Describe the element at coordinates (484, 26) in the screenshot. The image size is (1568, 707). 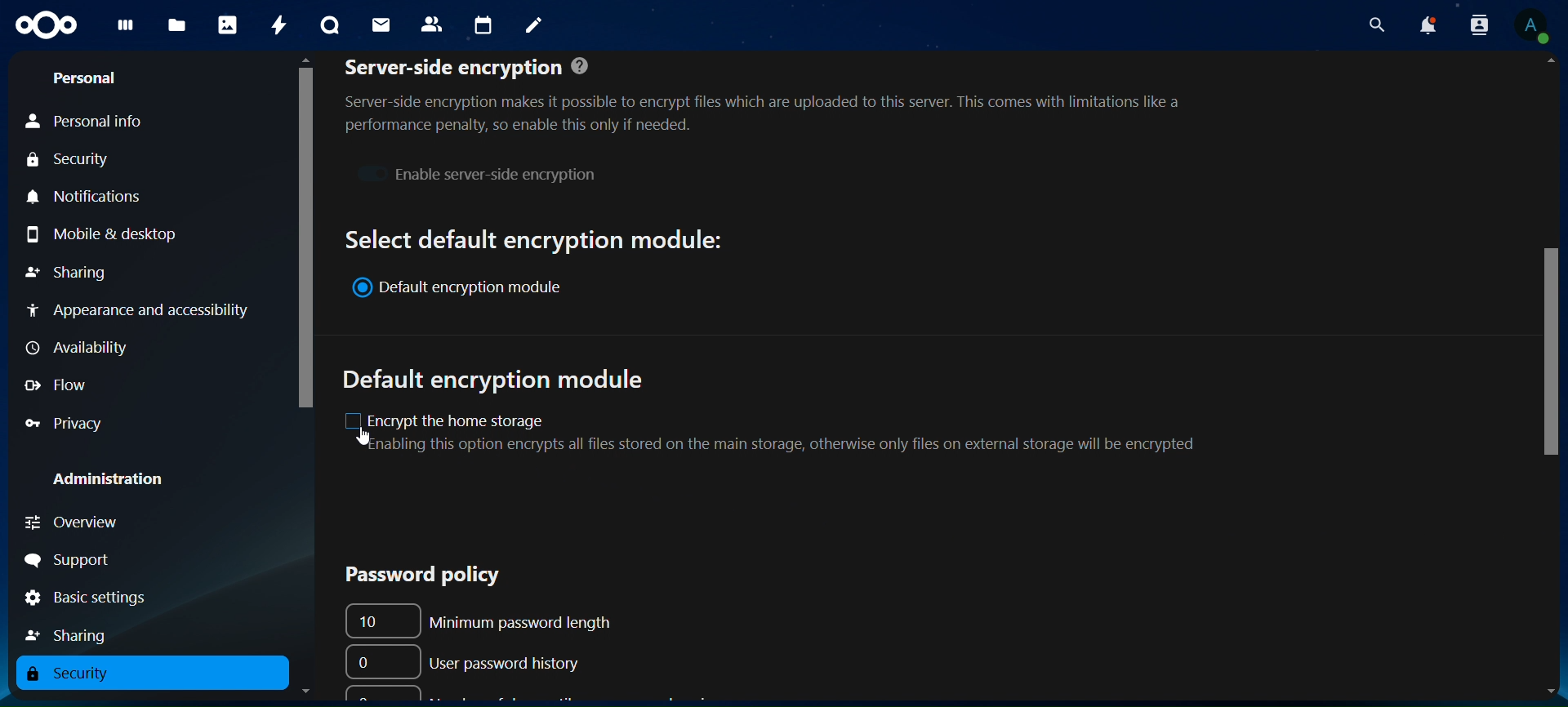
I see `calendar` at that location.